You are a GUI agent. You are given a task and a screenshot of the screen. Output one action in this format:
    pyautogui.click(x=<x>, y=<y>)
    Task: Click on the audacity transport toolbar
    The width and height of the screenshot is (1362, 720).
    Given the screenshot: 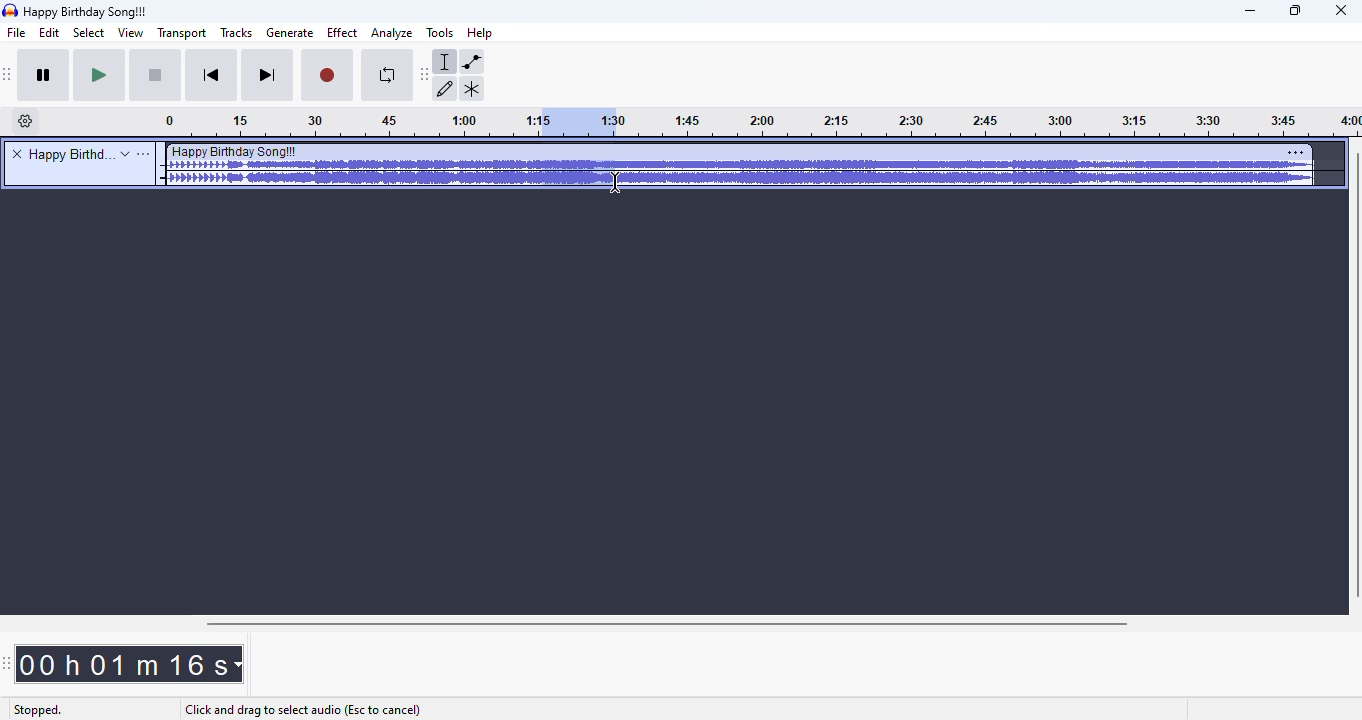 What is the action you would take?
    pyautogui.click(x=9, y=75)
    